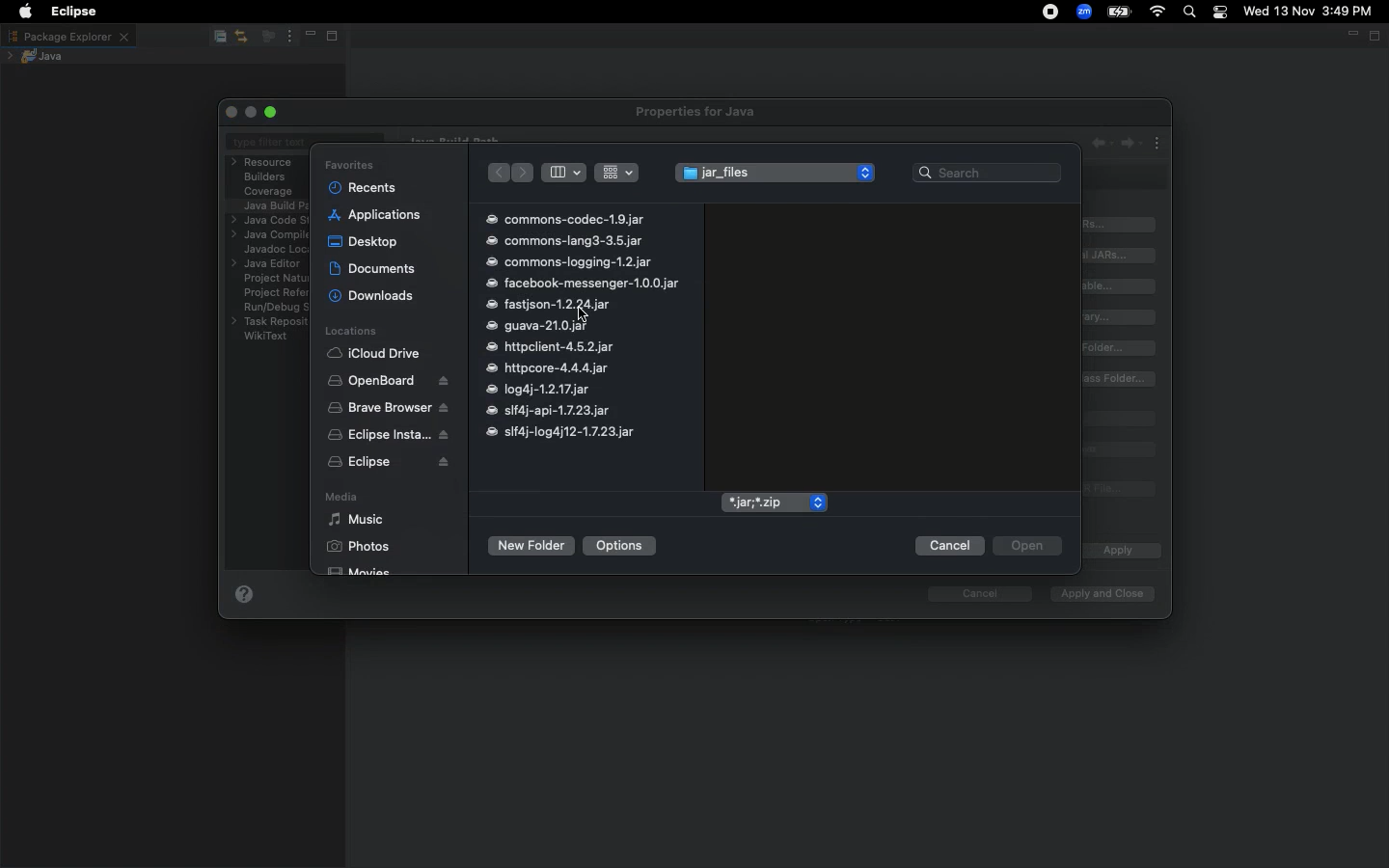 This screenshot has height=868, width=1389. What do you see at coordinates (1085, 12) in the screenshot?
I see `Zoom` at bounding box center [1085, 12].